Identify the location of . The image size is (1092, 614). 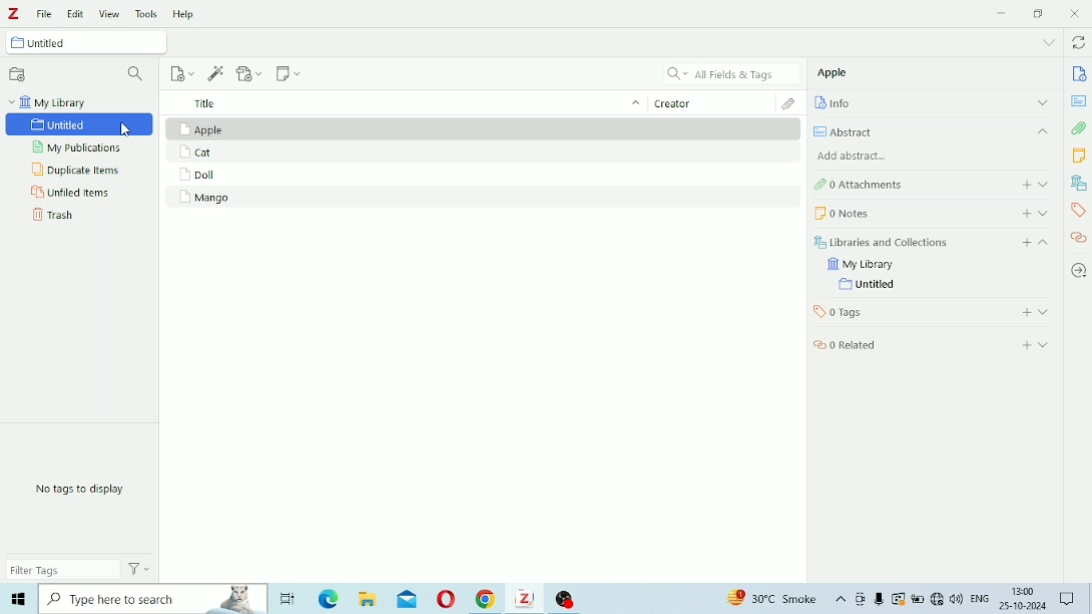
(850, 598).